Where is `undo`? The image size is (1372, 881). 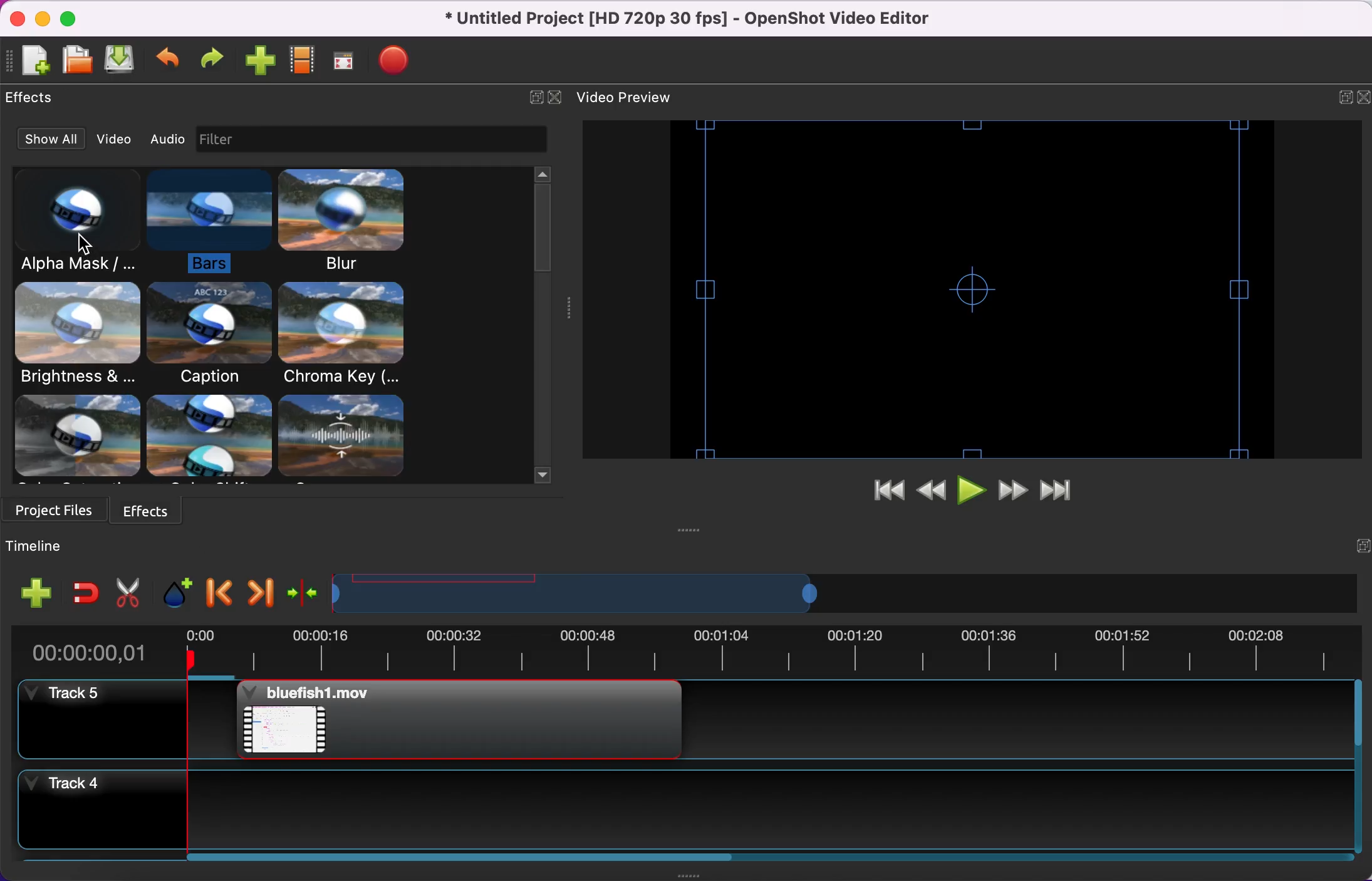 undo is located at coordinates (169, 63).